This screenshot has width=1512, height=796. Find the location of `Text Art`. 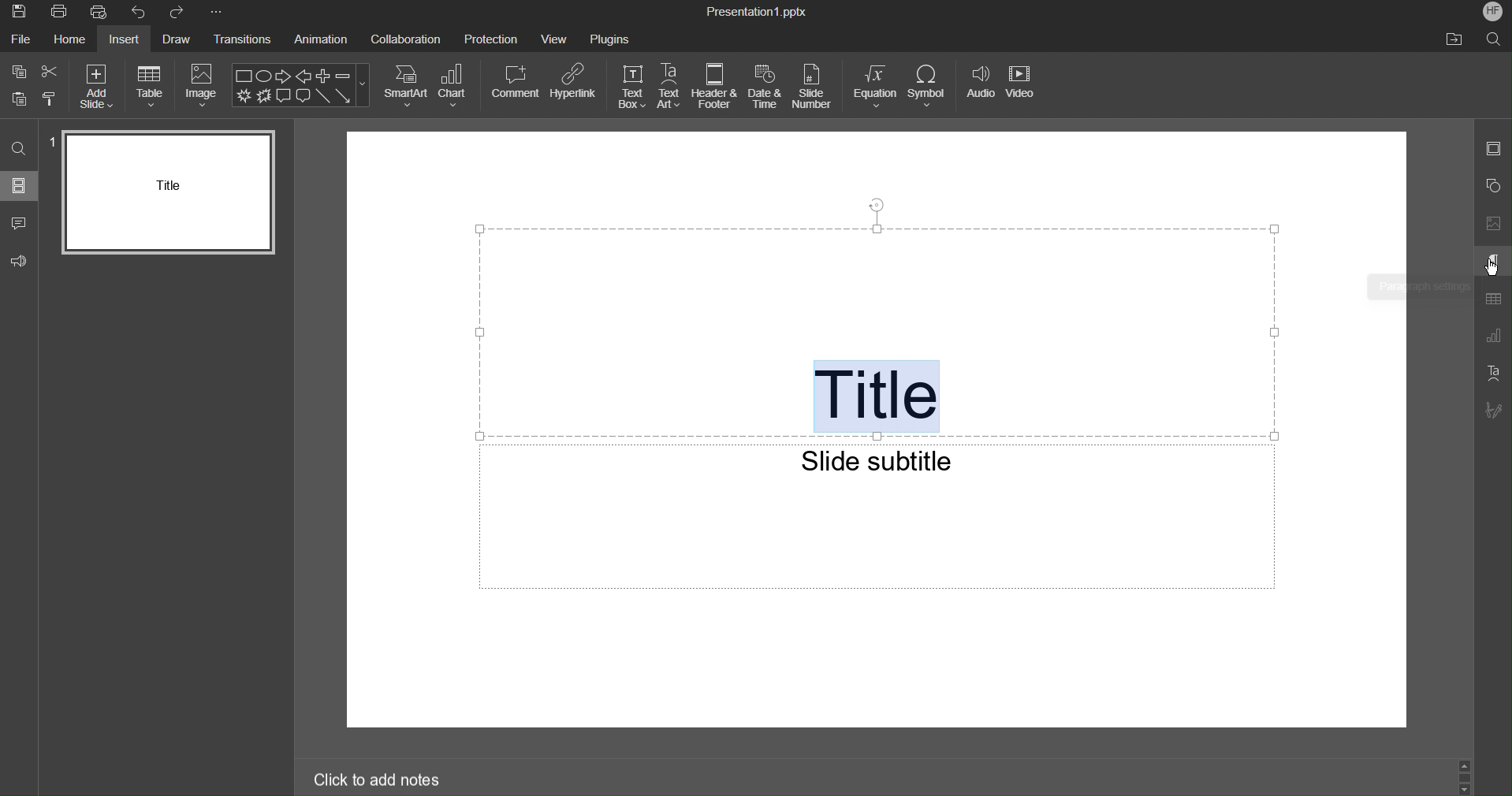

Text Art is located at coordinates (1492, 373).